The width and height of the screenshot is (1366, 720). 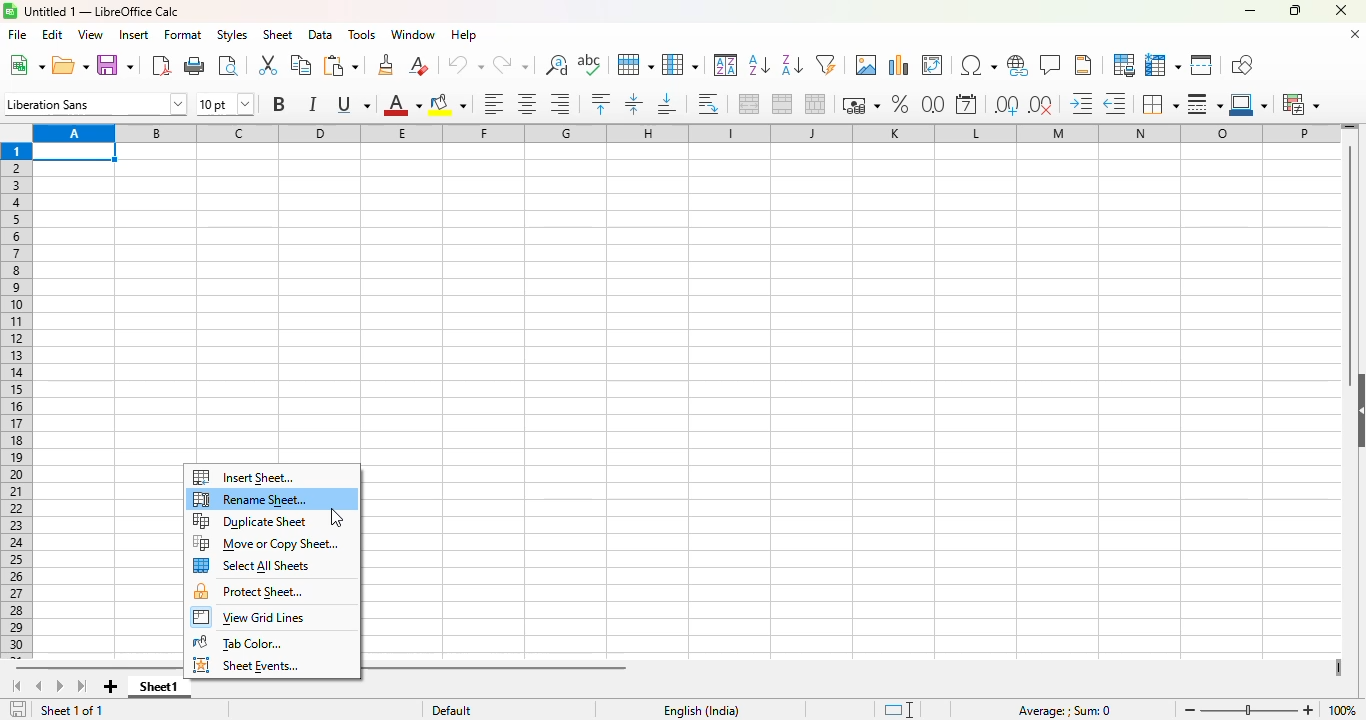 What do you see at coordinates (668, 104) in the screenshot?
I see `align bottom` at bounding box center [668, 104].